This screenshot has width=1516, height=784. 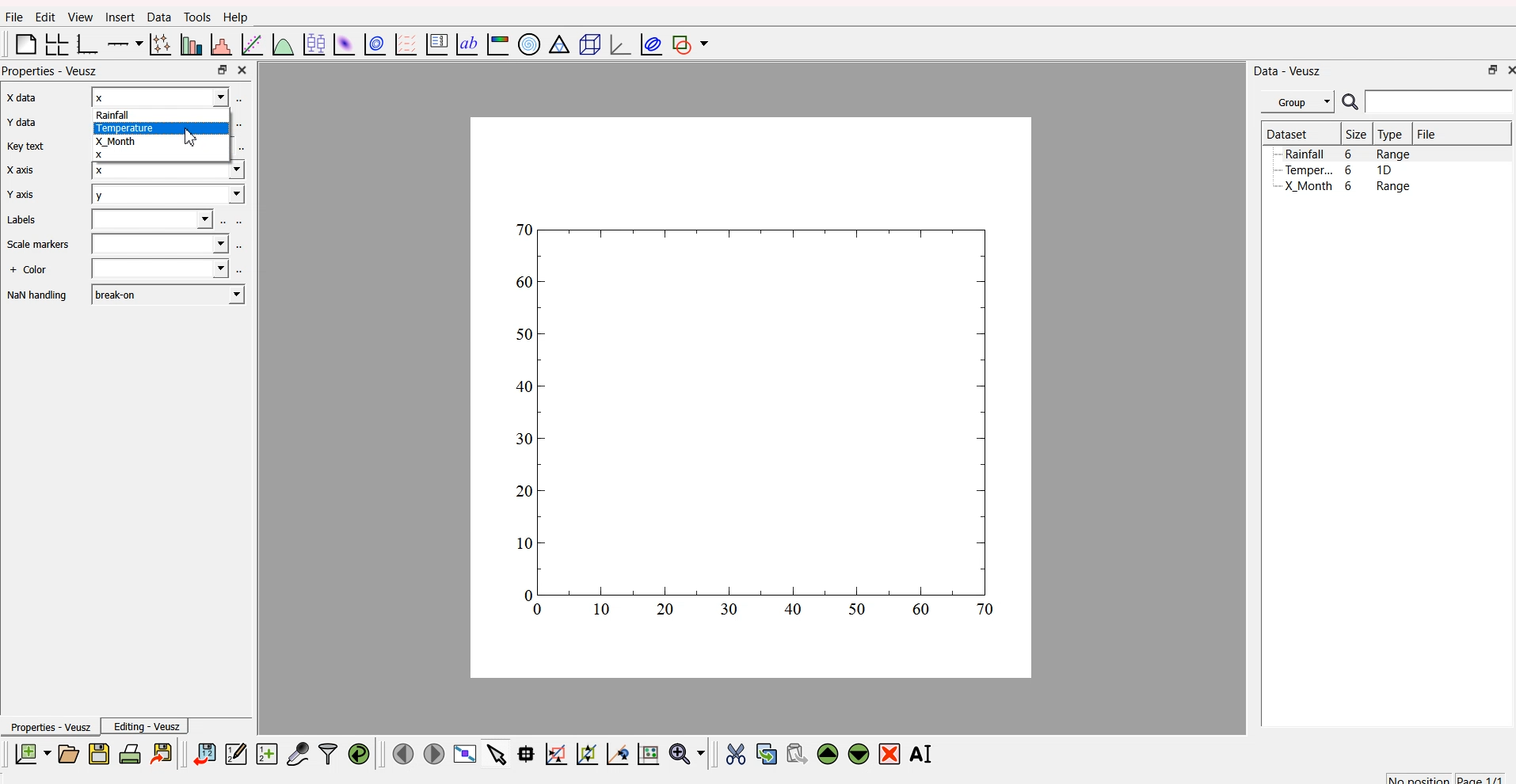 What do you see at coordinates (20, 196) in the screenshot?
I see `Y axis` at bounding box center [20, 196].